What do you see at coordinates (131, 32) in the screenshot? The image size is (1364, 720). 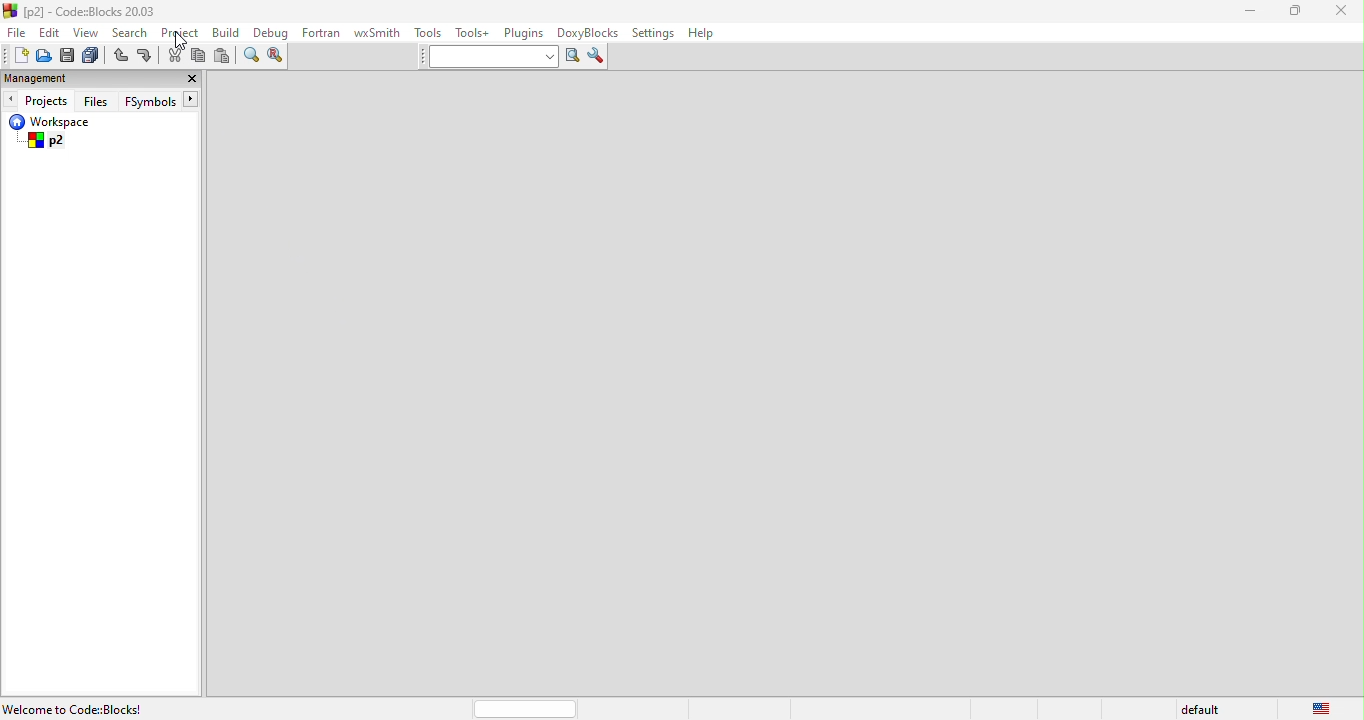 I see `search` at bounding box center [131, 32].